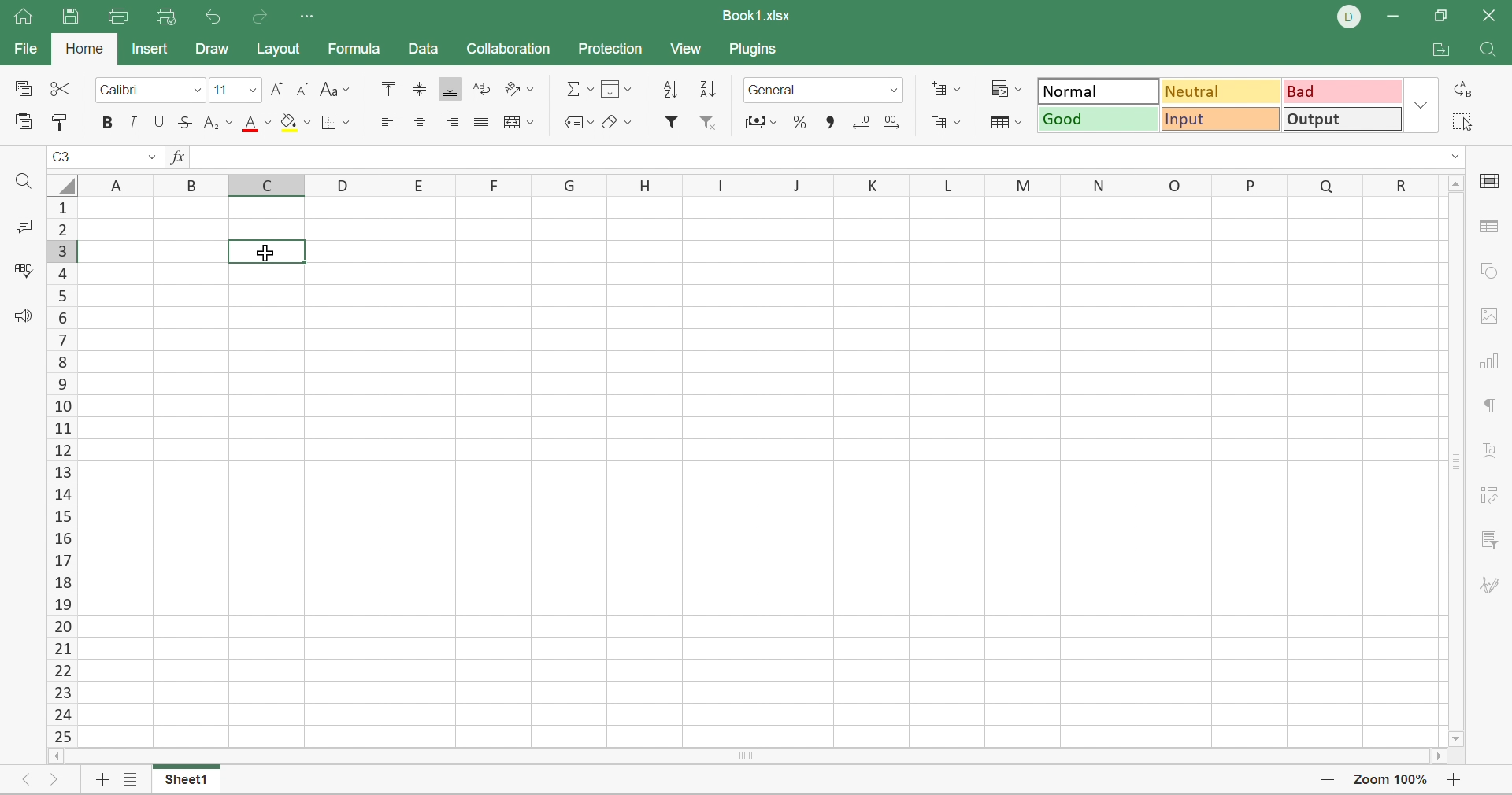 This screenshot has width=1512, height=795. Describe the element at coordinates (687, 48) in the screenshot. I see `View` at that location.